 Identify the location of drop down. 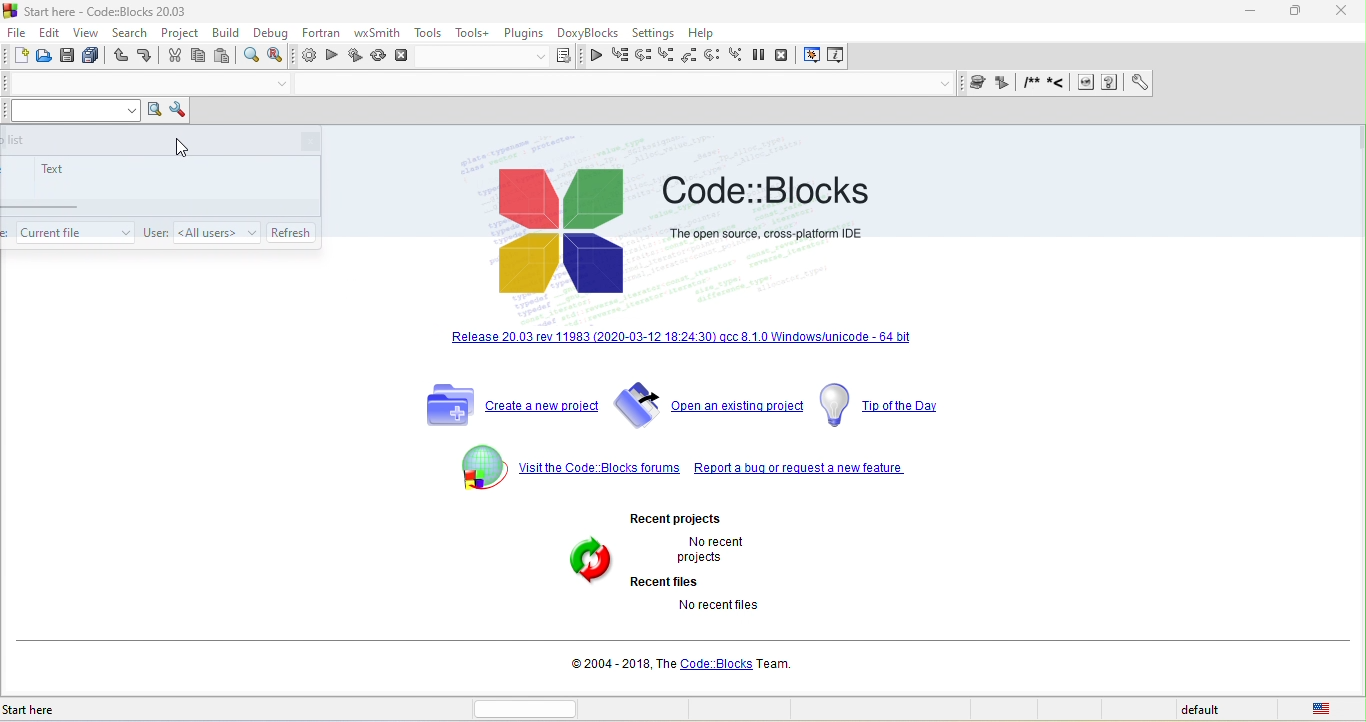
(946, 84).